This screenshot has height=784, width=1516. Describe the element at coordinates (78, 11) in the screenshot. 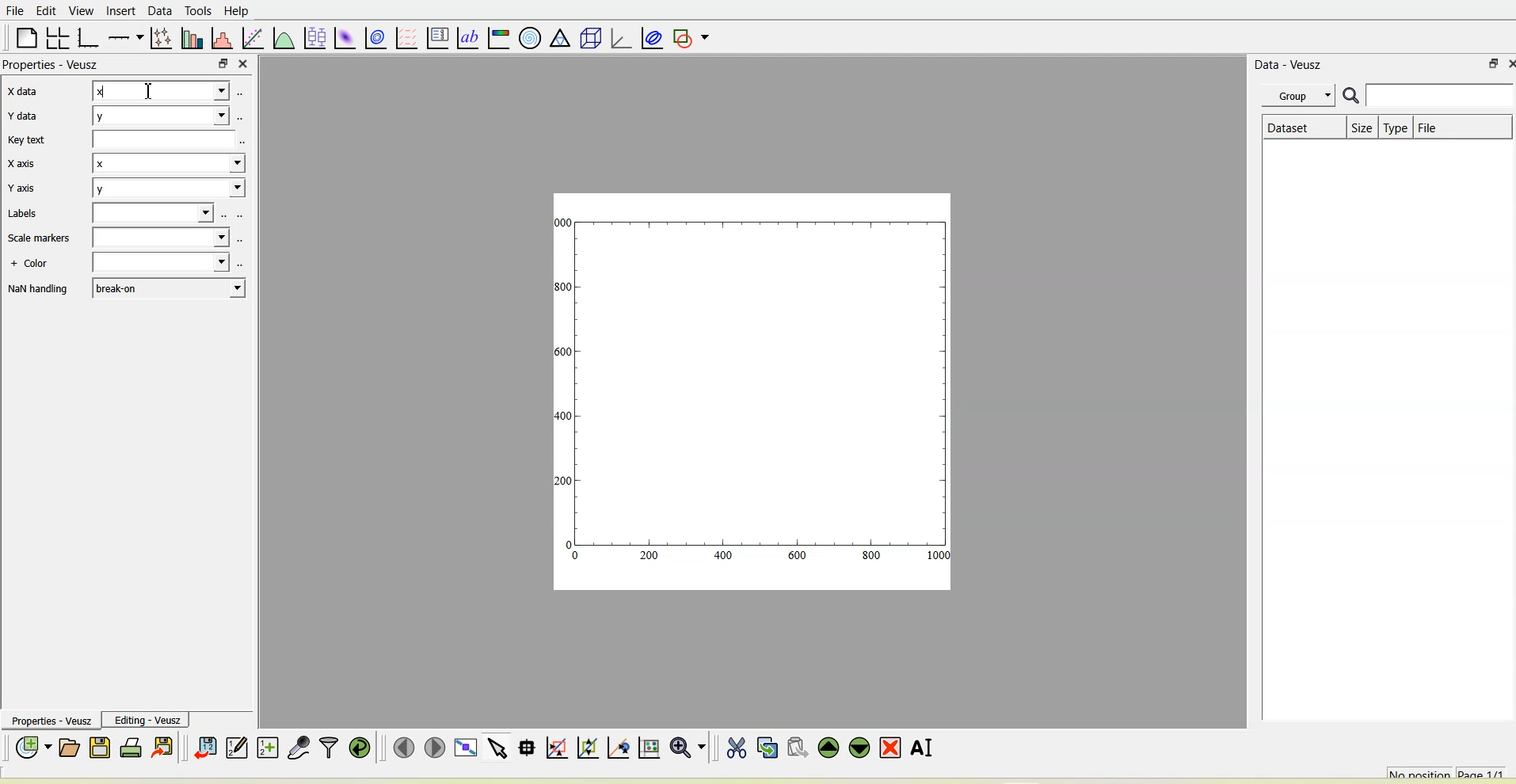

I see `View` at that location.